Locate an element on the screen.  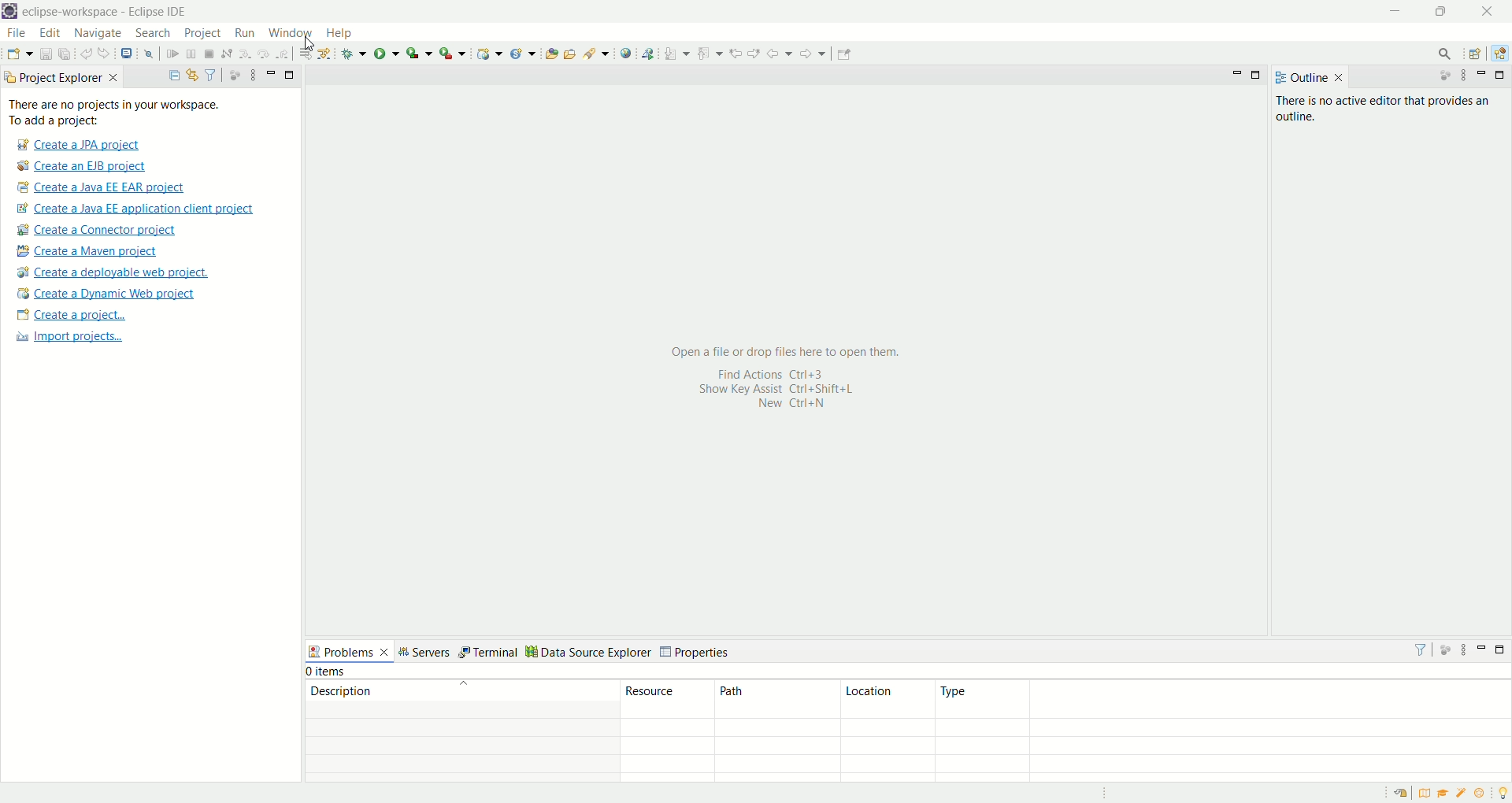
view menu is located at coordinates (1466, 650).